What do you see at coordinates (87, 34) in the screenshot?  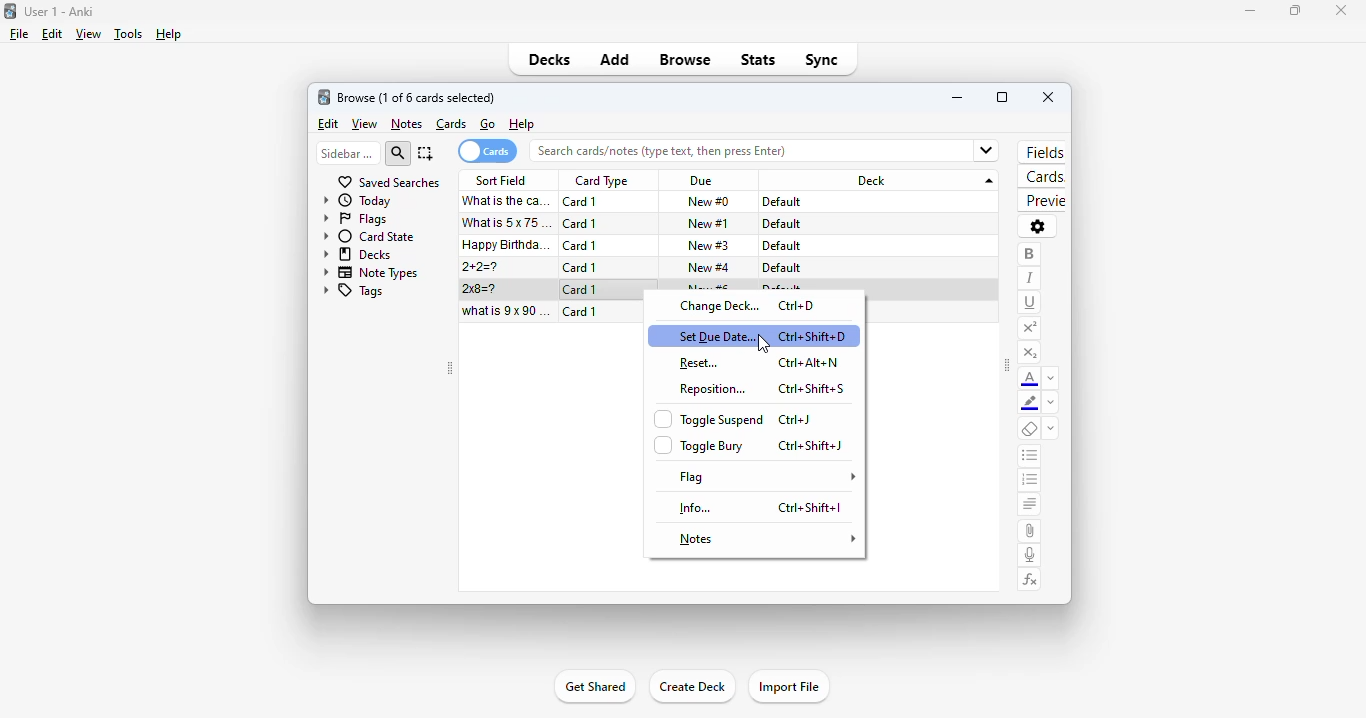 I see `view` at bounding box center [87, 34].